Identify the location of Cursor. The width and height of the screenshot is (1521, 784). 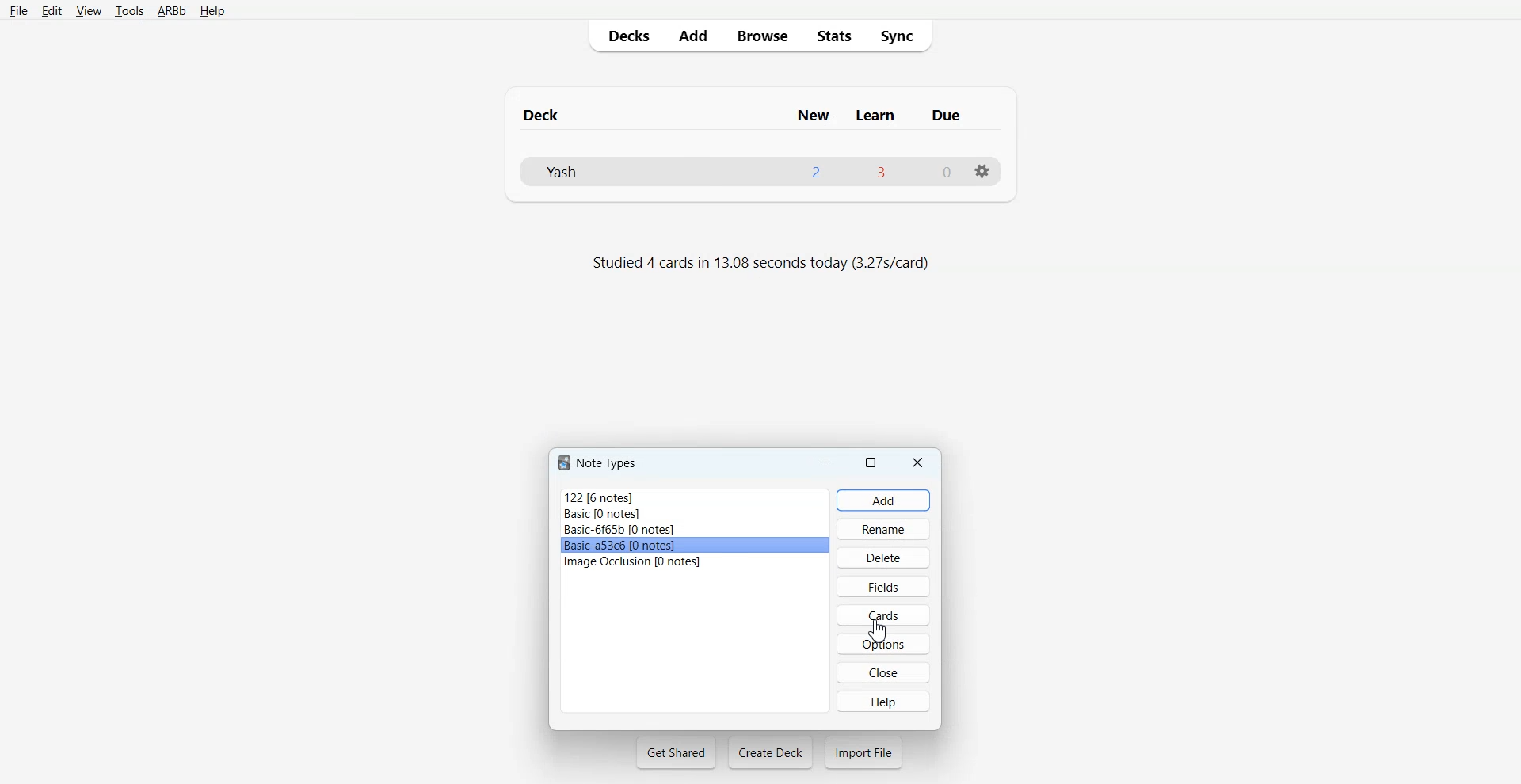
(880, 630).